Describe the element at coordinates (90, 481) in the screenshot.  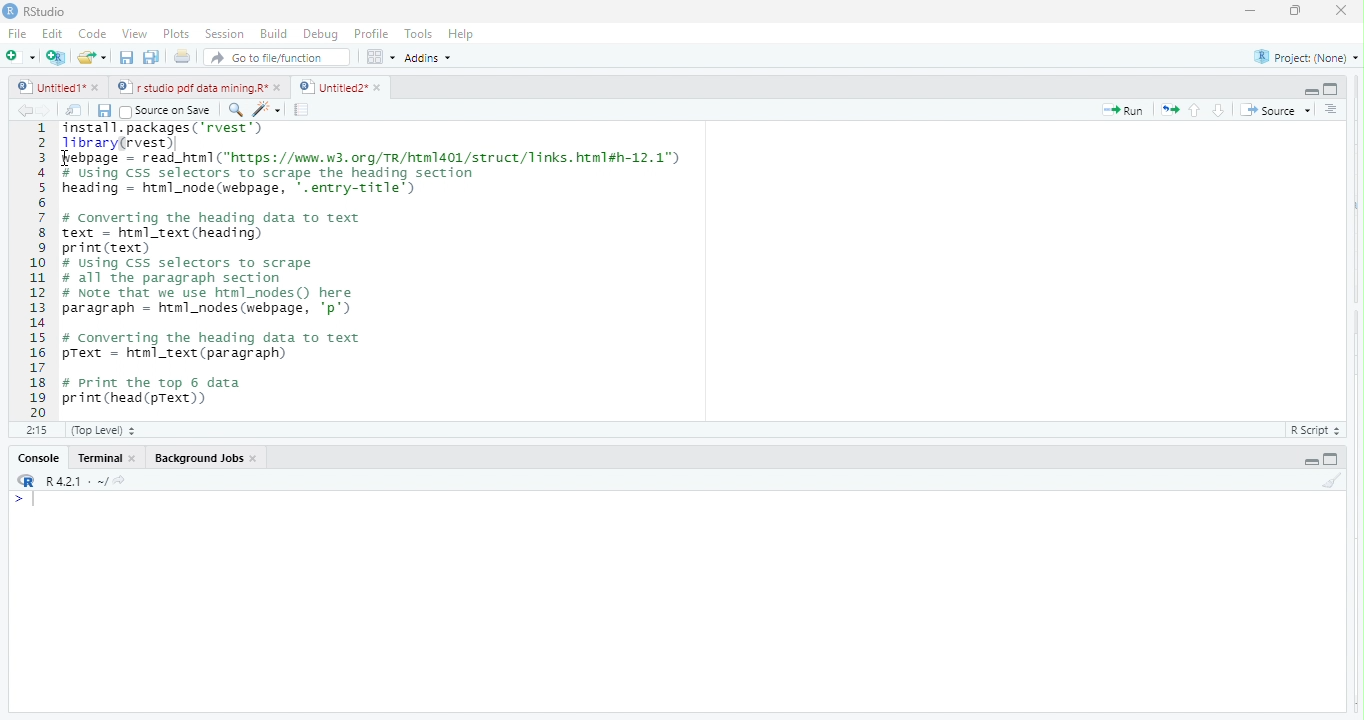
I see ` R421: ~/` at that location.